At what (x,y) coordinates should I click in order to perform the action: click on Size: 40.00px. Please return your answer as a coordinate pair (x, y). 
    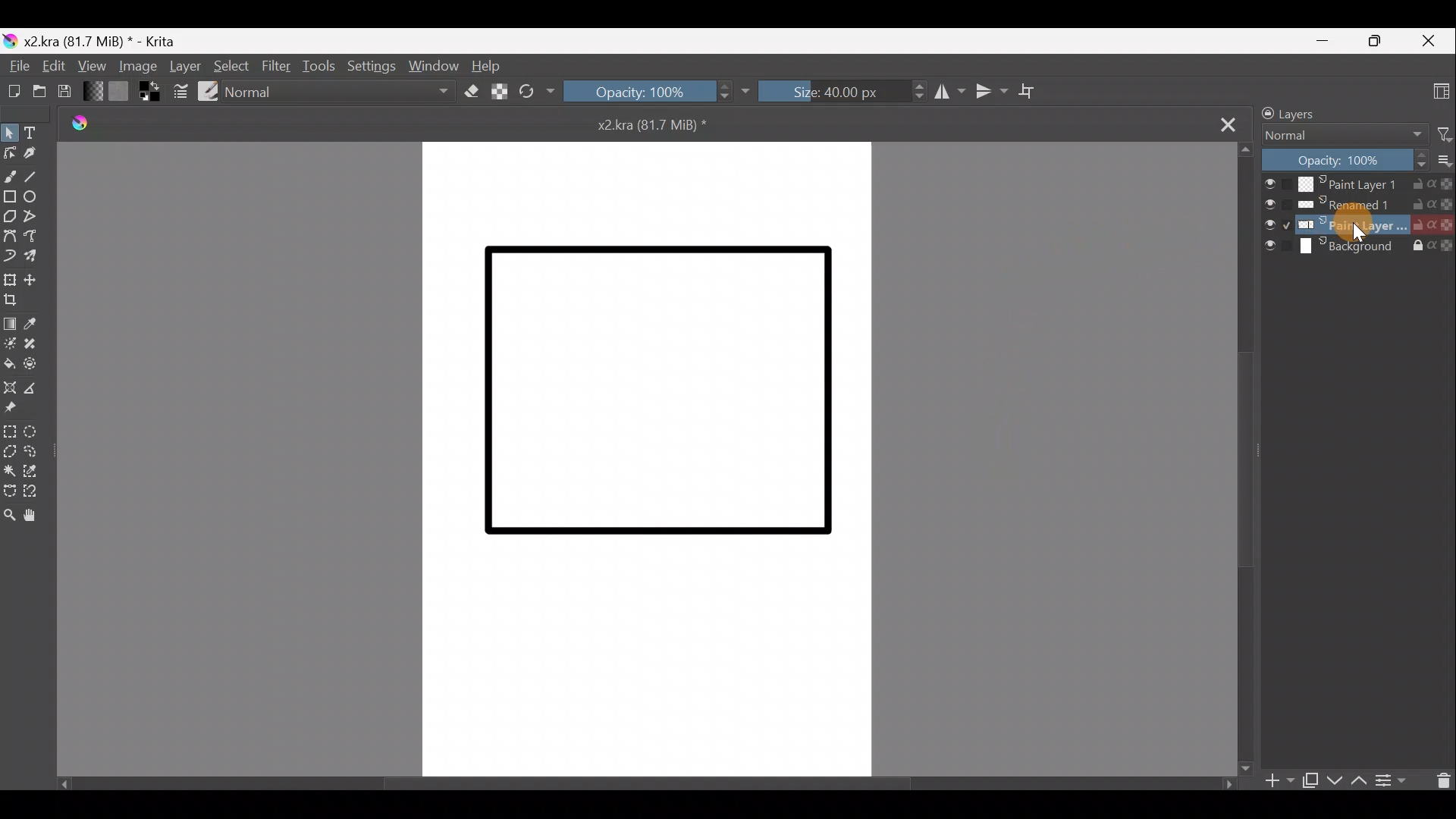
    Looking at the image, I should click on (840, 90).